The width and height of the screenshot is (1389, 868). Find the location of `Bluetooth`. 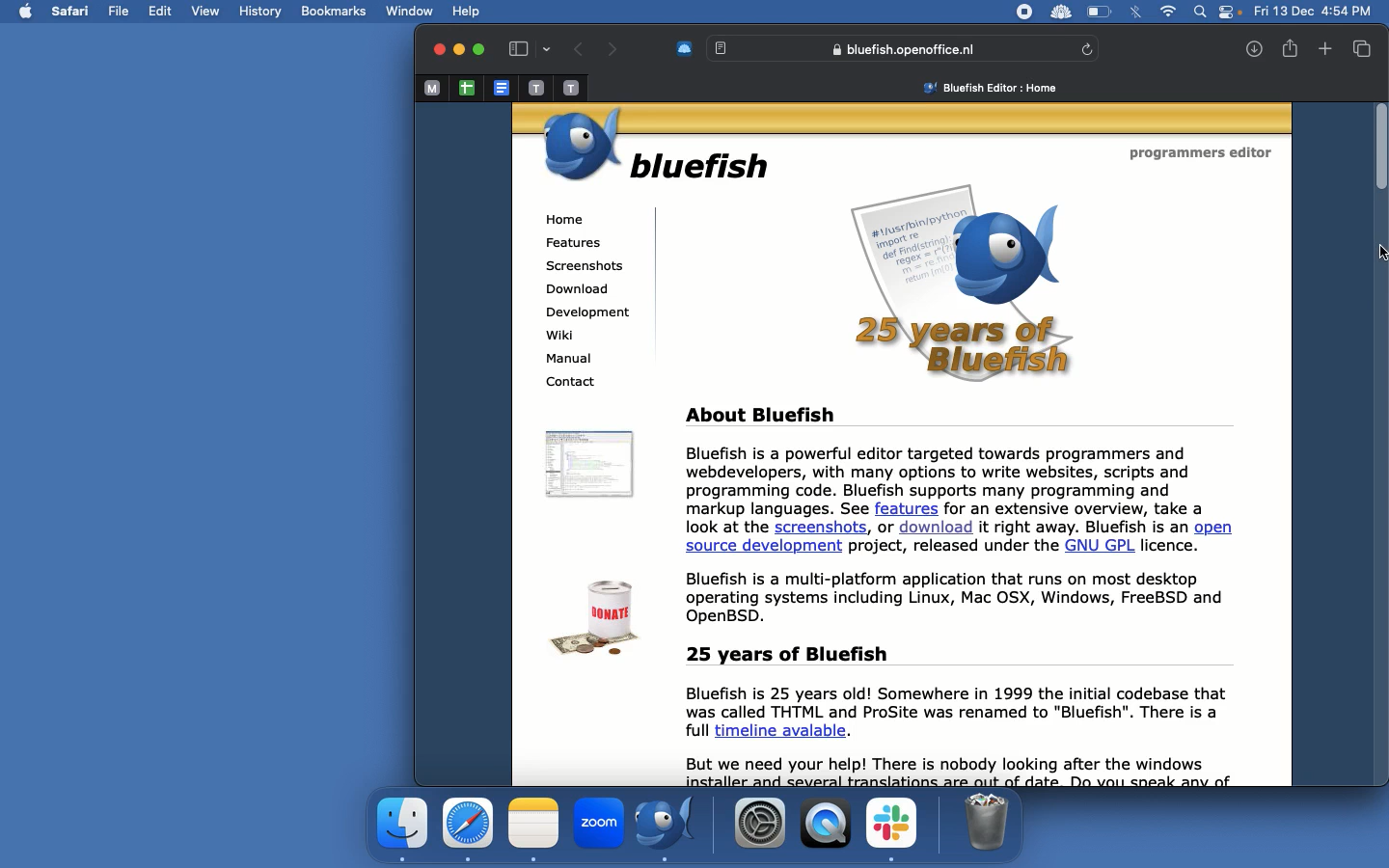

Bluetooth is located at coordinates (1136, 14).